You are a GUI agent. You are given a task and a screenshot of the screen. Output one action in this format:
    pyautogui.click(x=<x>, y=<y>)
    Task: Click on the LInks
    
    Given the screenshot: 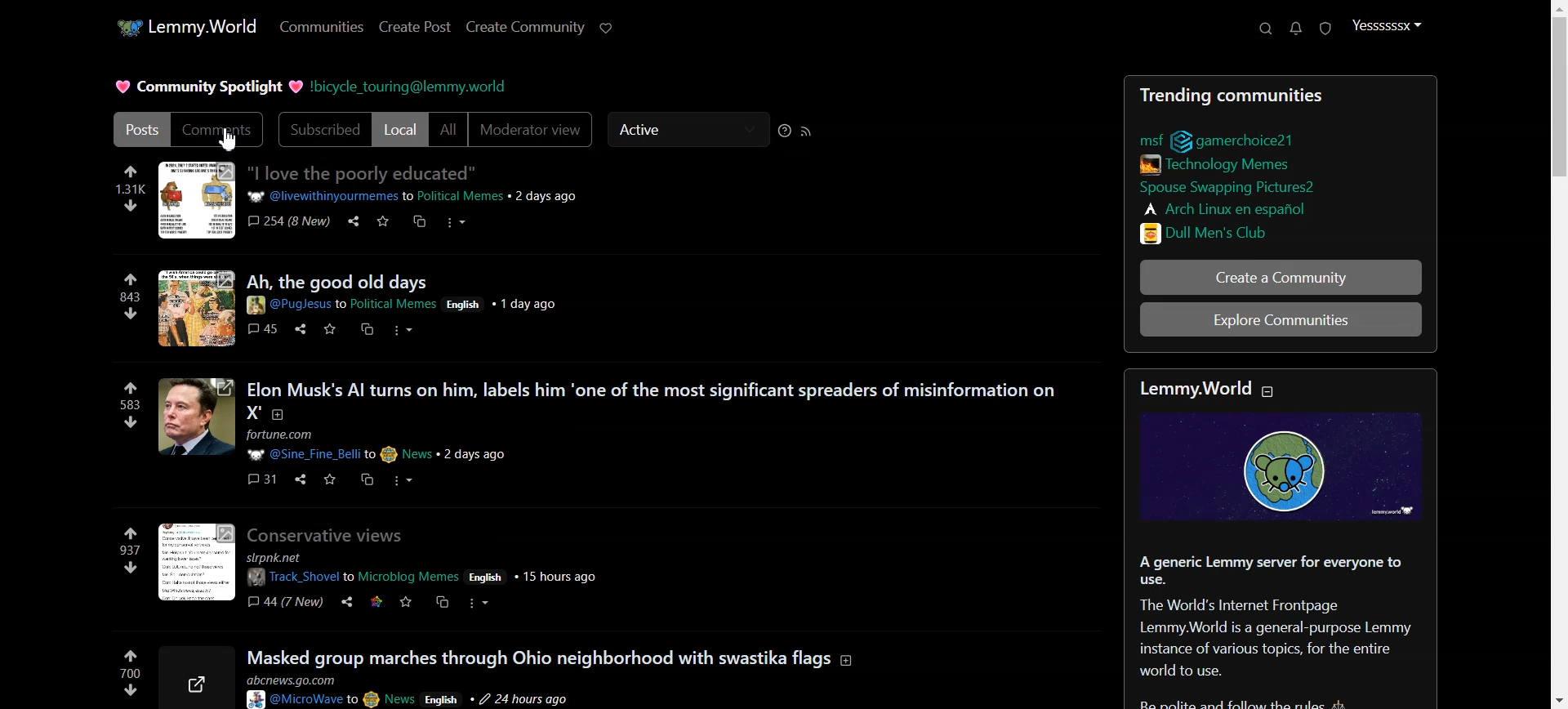 What is the action you would take?
    pyautogui.click(x=1226, y=185)
    